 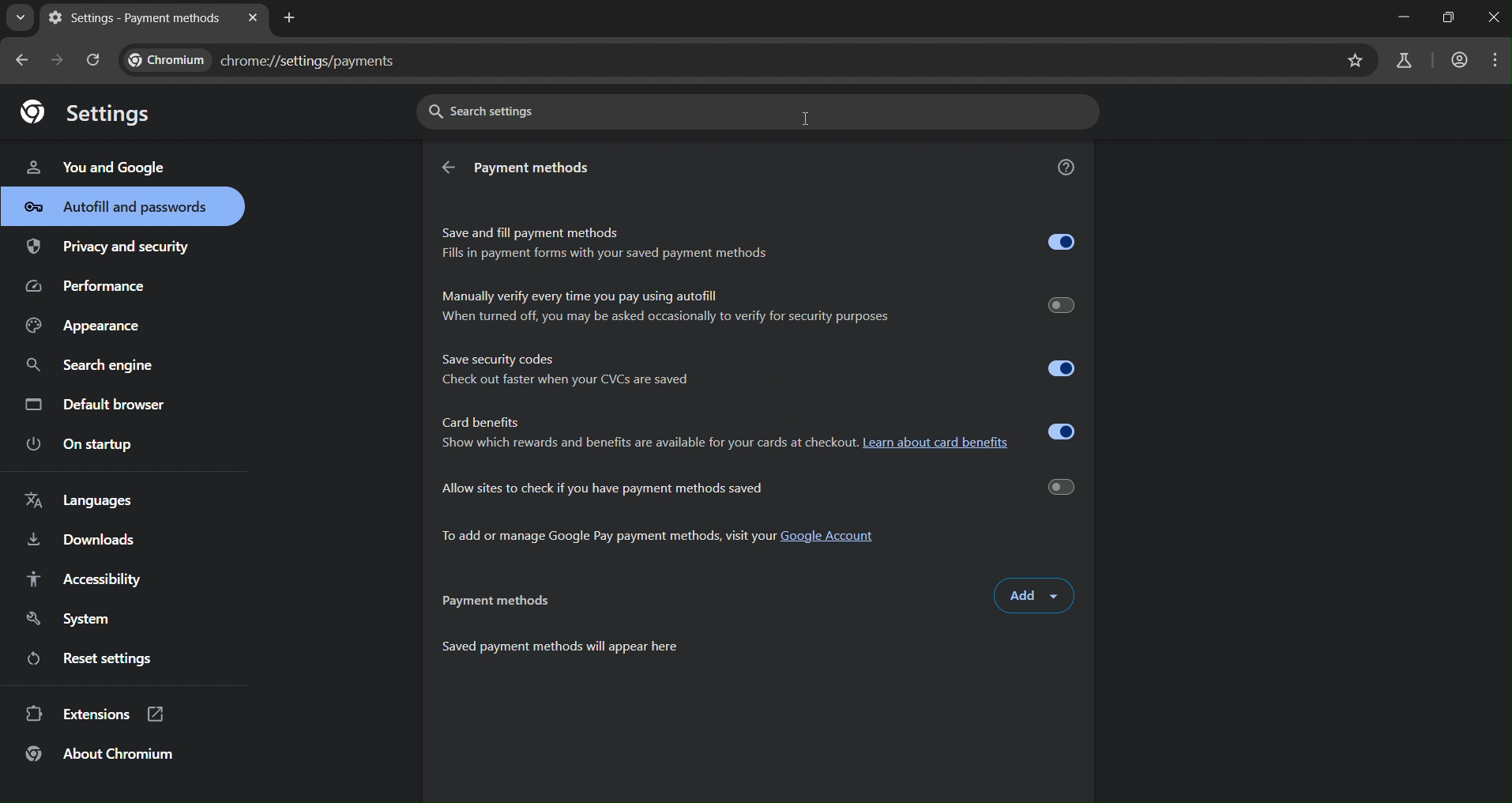 I want to click on Save and fill payment methods
Fills in payment forms with your saved payment methods, so click(x=755, y=242).